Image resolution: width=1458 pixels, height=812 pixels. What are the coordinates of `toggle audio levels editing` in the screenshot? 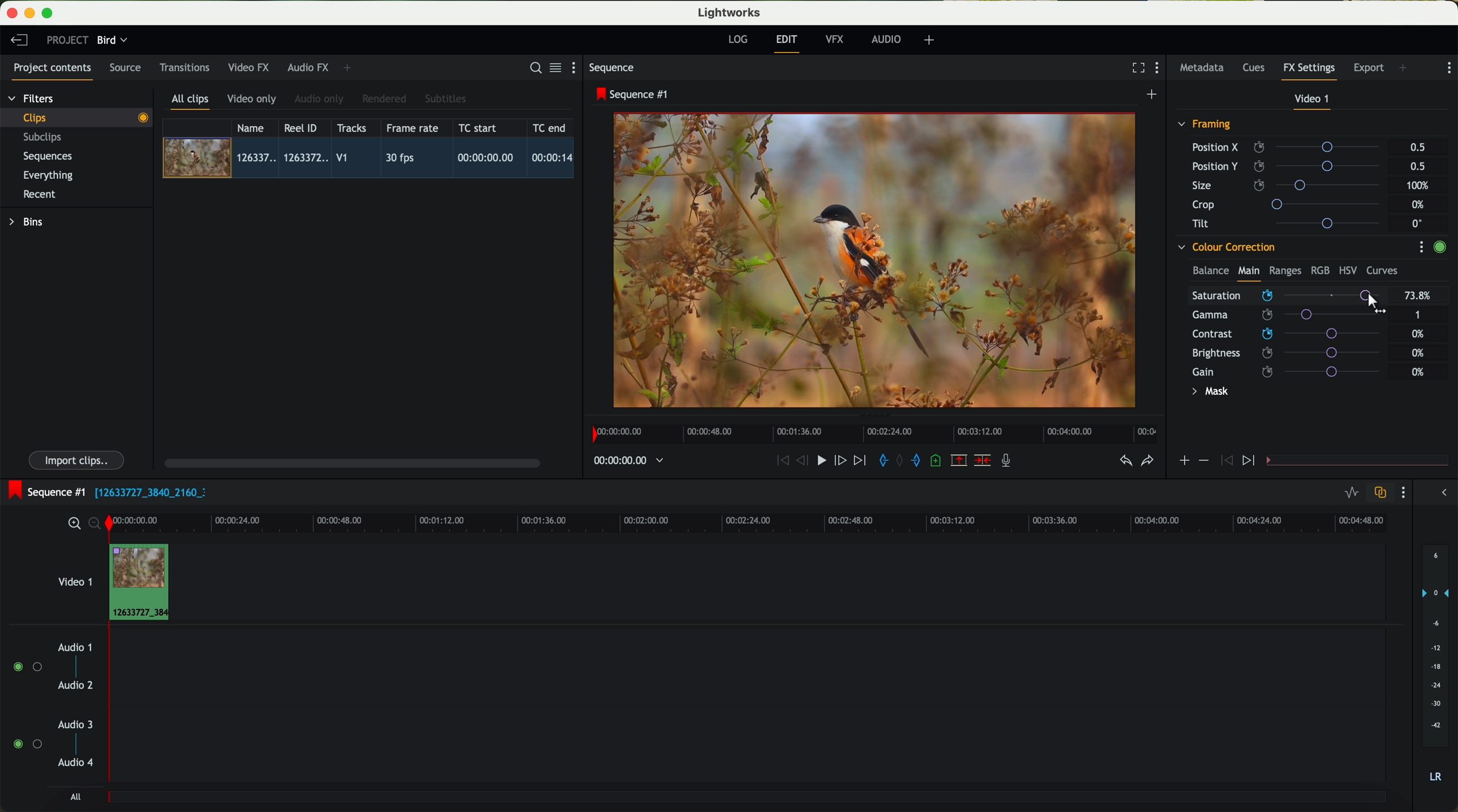 It's located at (1351, 494).